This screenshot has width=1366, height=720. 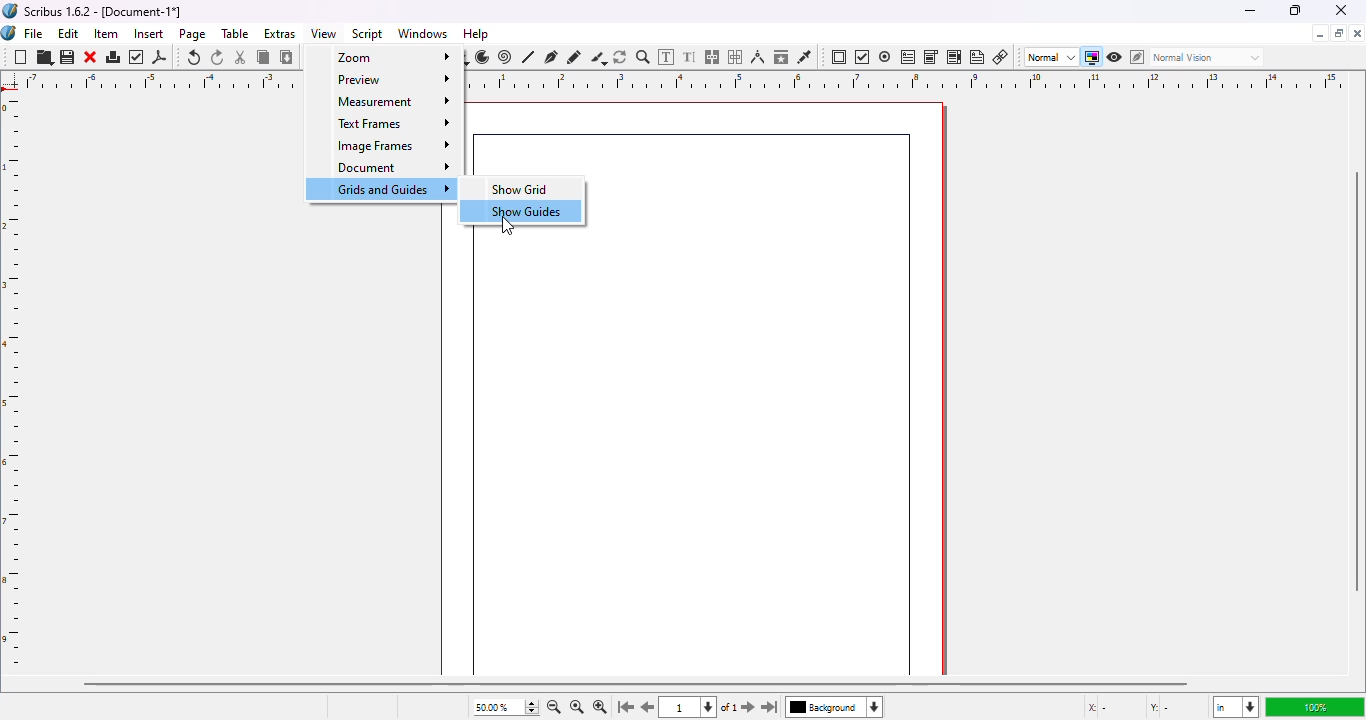 I want to click on minimize, so click(x=1319, y=34).